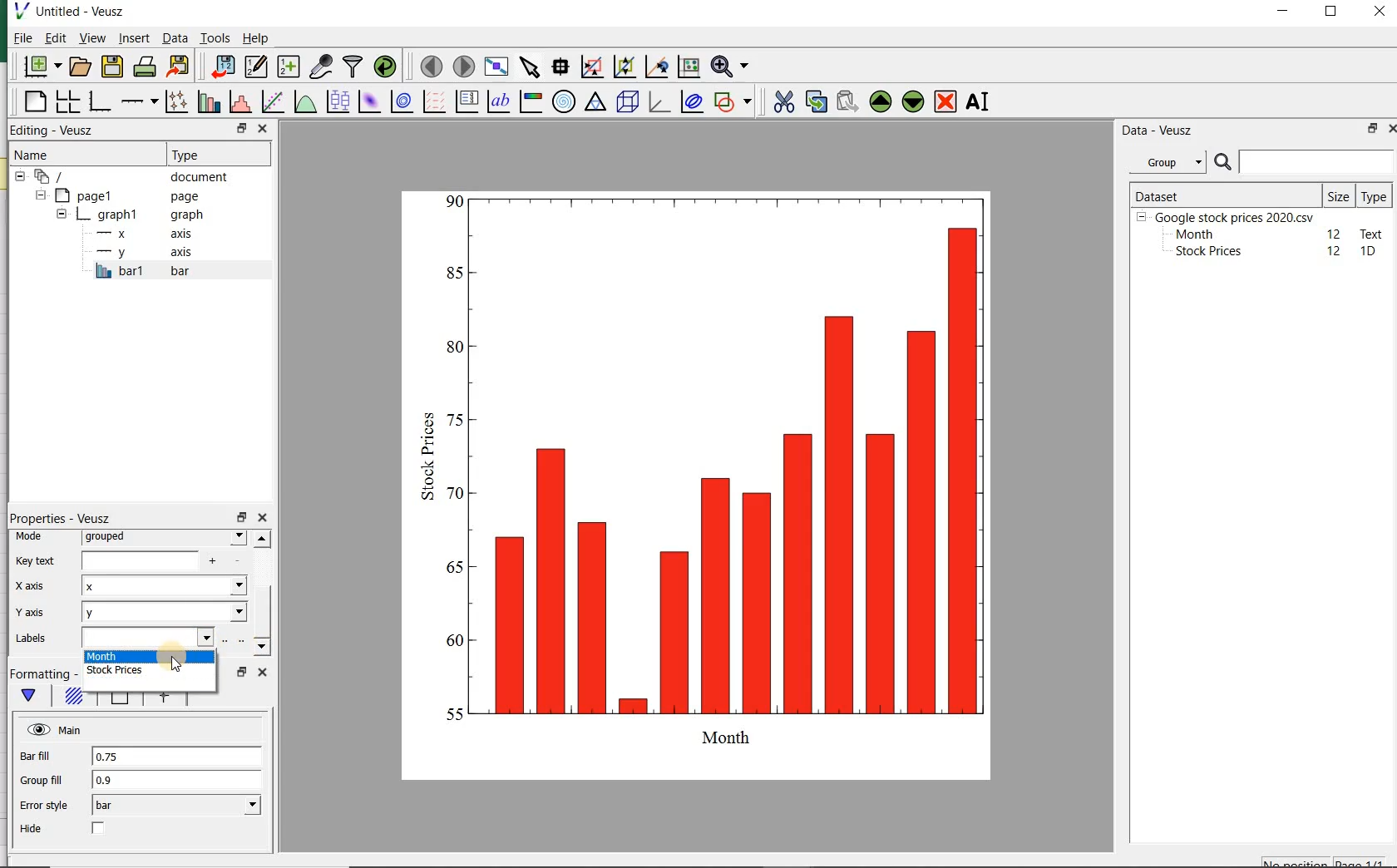  Describe the element at coordinates (119, 700) in the screenshot. I see `Line` at that location.